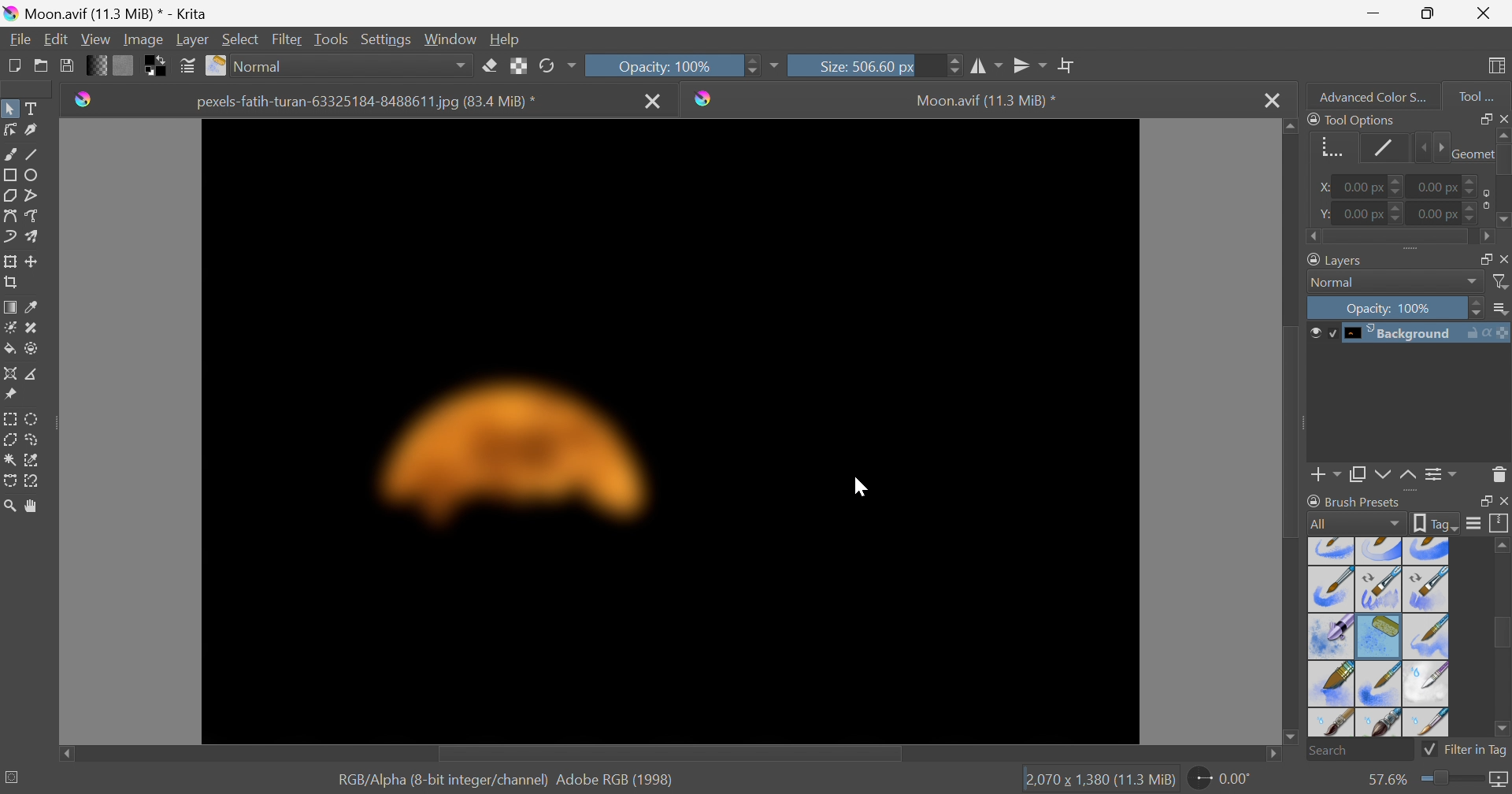 The image size is (1512, 794). I want to click on Layers, so click(1332, 260).